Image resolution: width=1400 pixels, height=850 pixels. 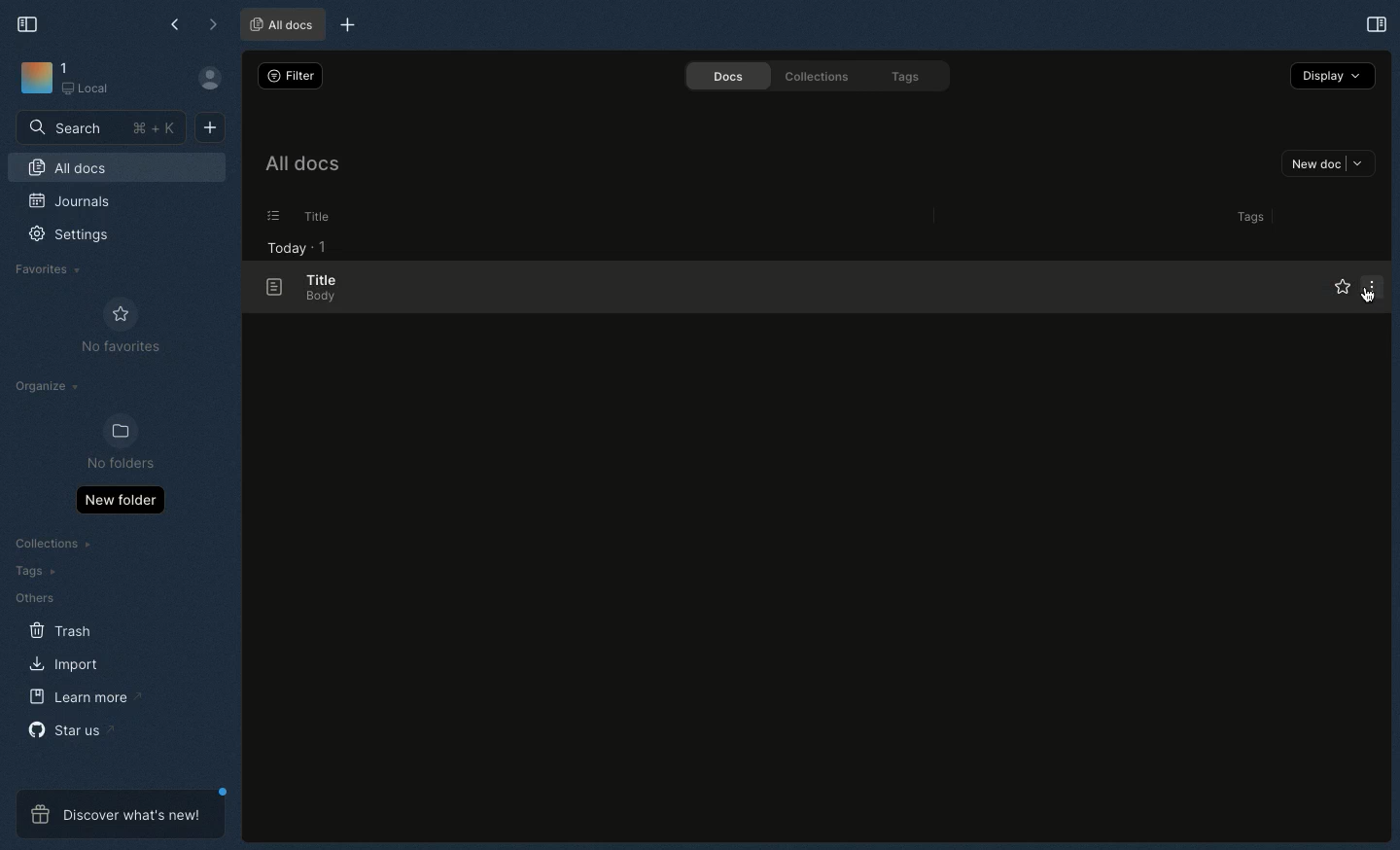 I want to click on Open right panel, so click(x=1374, y=23).